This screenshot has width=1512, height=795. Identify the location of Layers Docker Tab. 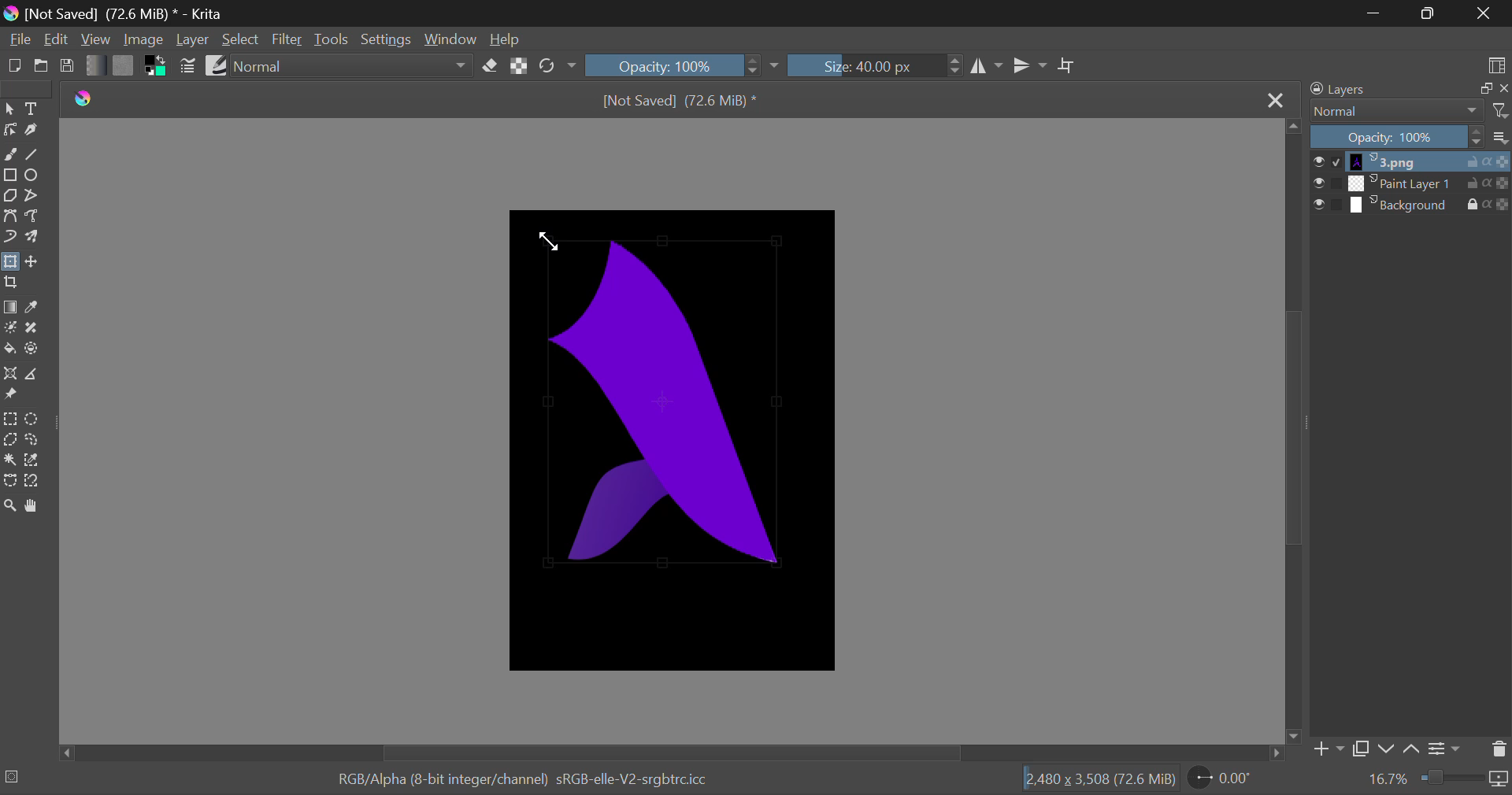
(1345, 90).